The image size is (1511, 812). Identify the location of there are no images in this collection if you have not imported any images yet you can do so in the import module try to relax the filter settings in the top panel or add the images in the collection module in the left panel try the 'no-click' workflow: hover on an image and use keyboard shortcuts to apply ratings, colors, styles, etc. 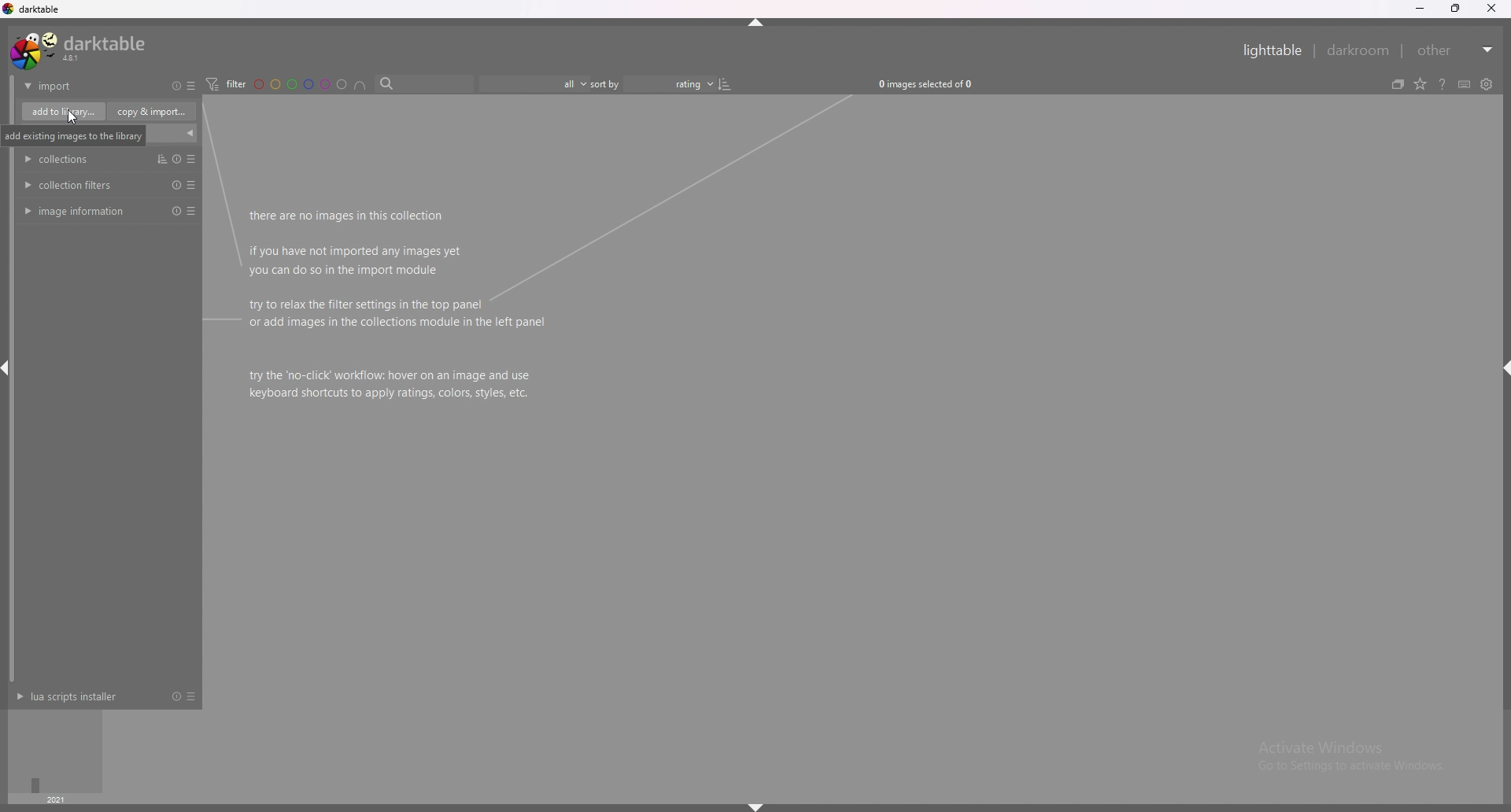
(402, 305).